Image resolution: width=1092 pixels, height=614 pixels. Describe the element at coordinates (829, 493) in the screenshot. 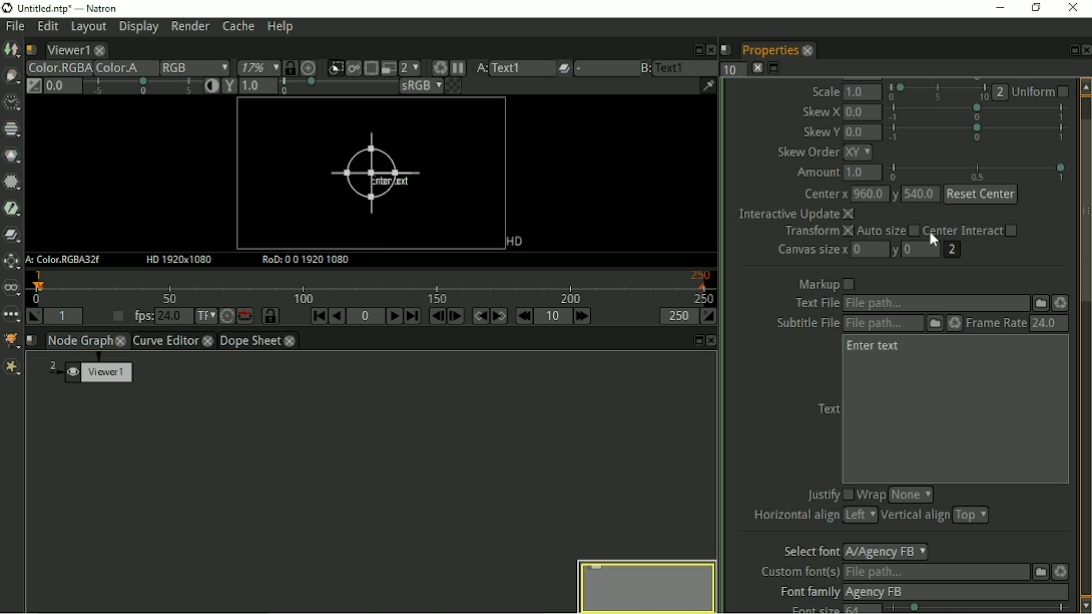

I see `Justify` at that location.